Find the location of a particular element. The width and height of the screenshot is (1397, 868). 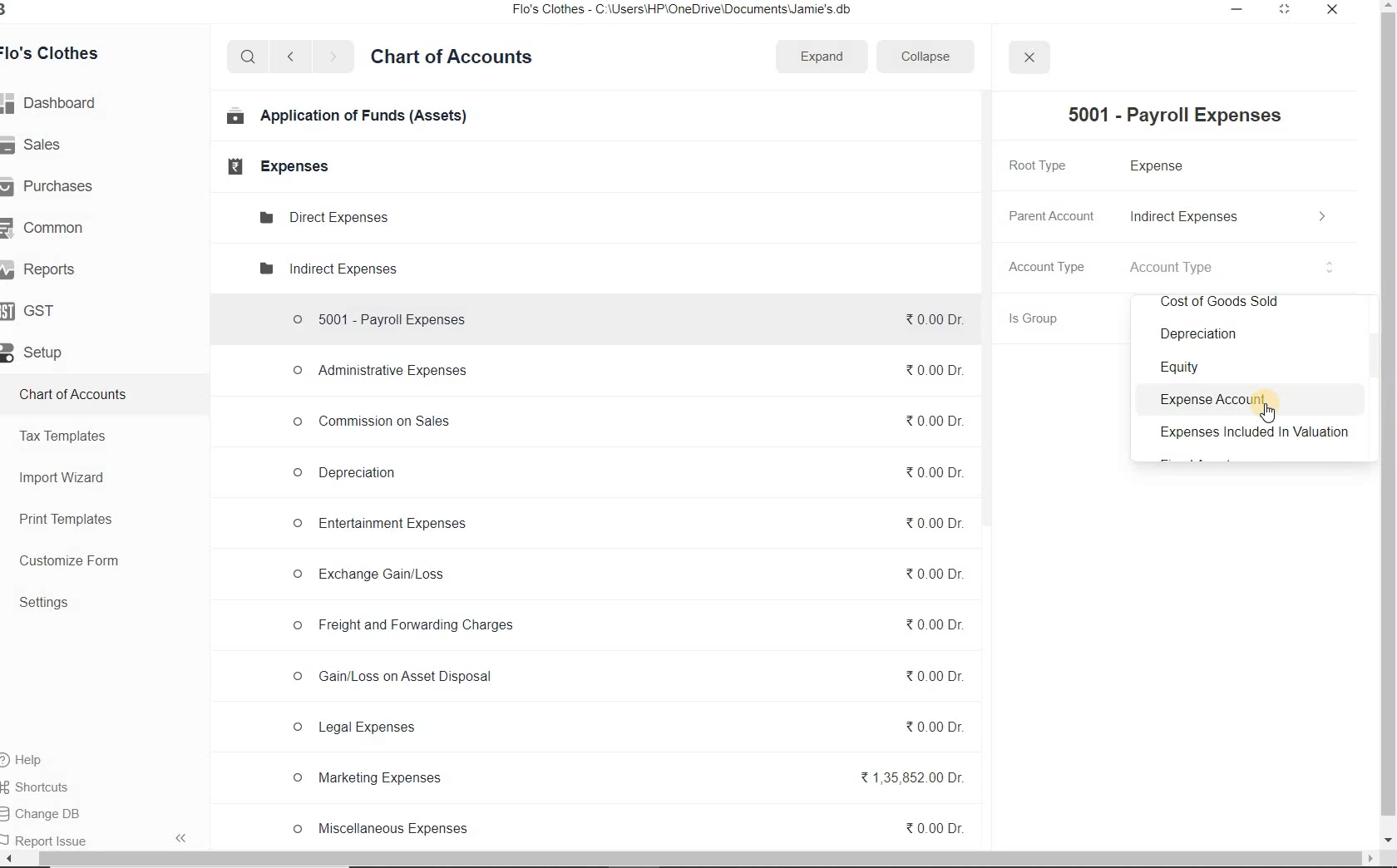

move left is located at coordinates (8, 859).